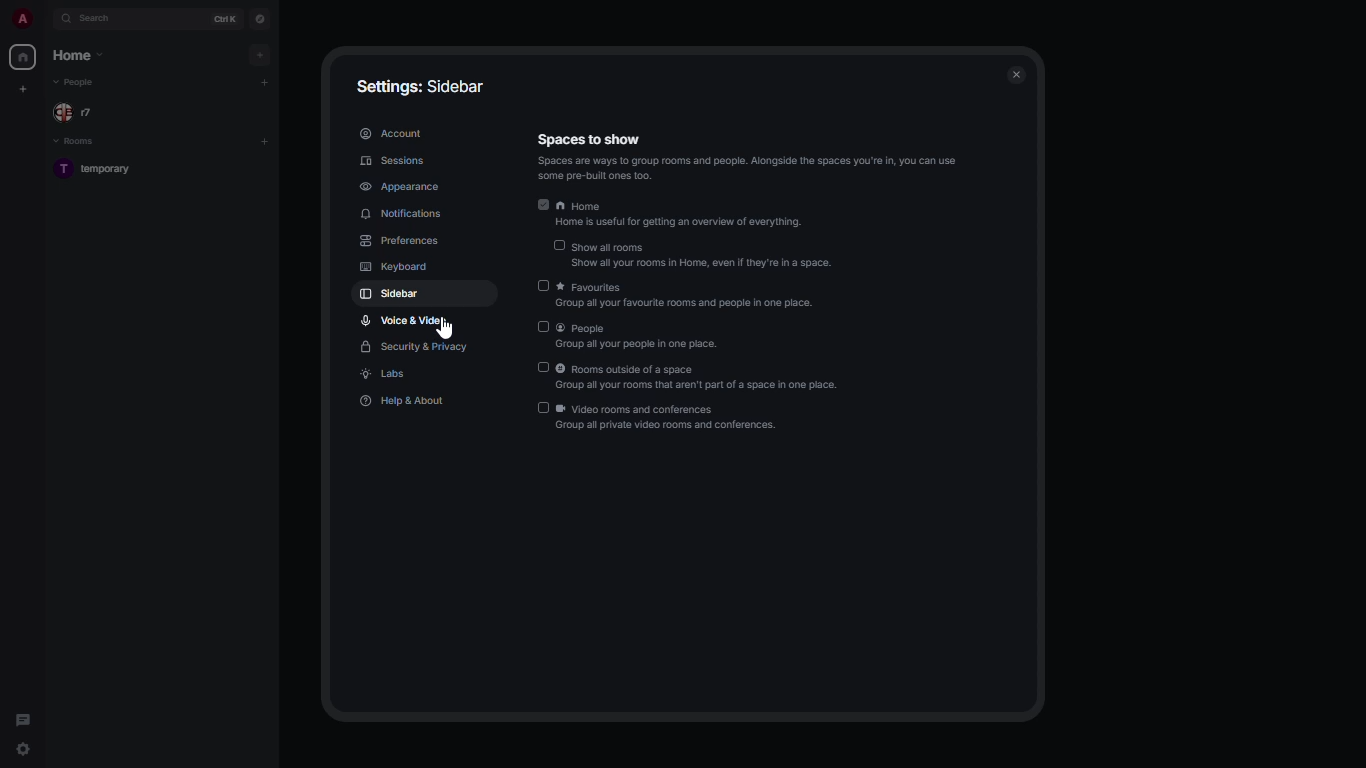 Image resolution: width=1366 pixels, height=768 pixels. I want to click on ‘Group ail your rooms that aren't part of a space in one place., so click(695, 387).